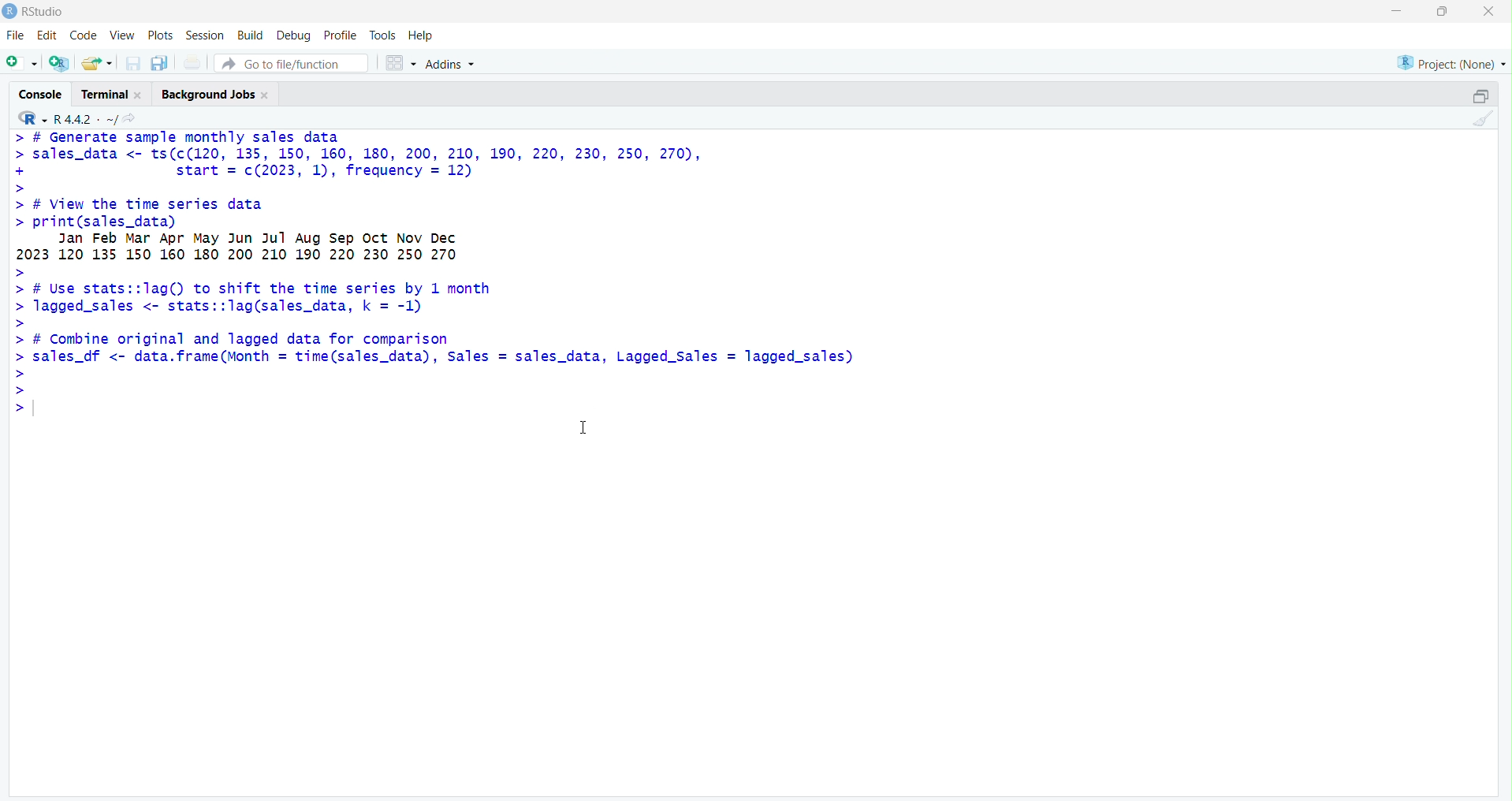  I want to click on maximize, so click(1441, 11).